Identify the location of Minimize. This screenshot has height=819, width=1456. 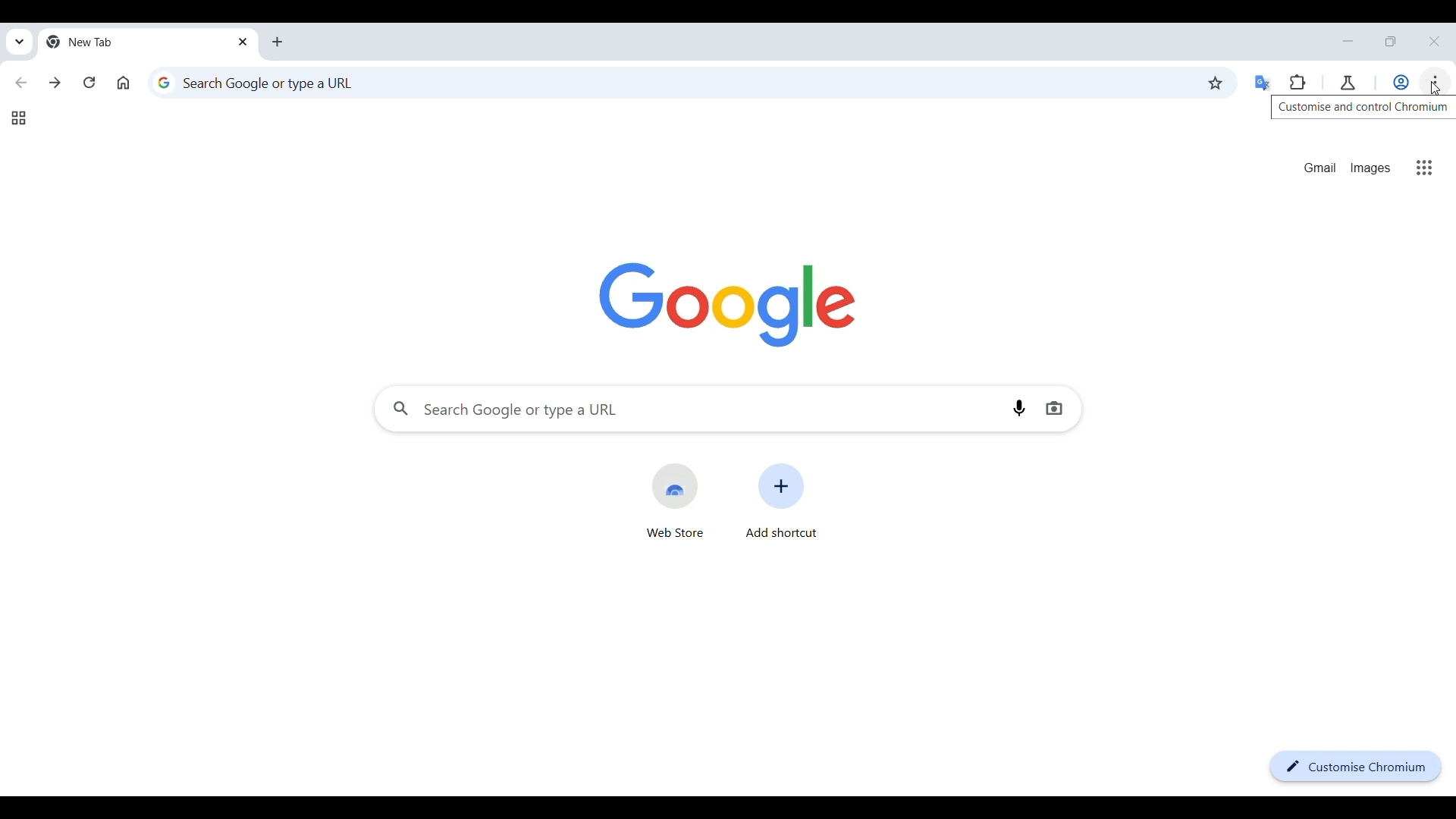
(1348, 41).